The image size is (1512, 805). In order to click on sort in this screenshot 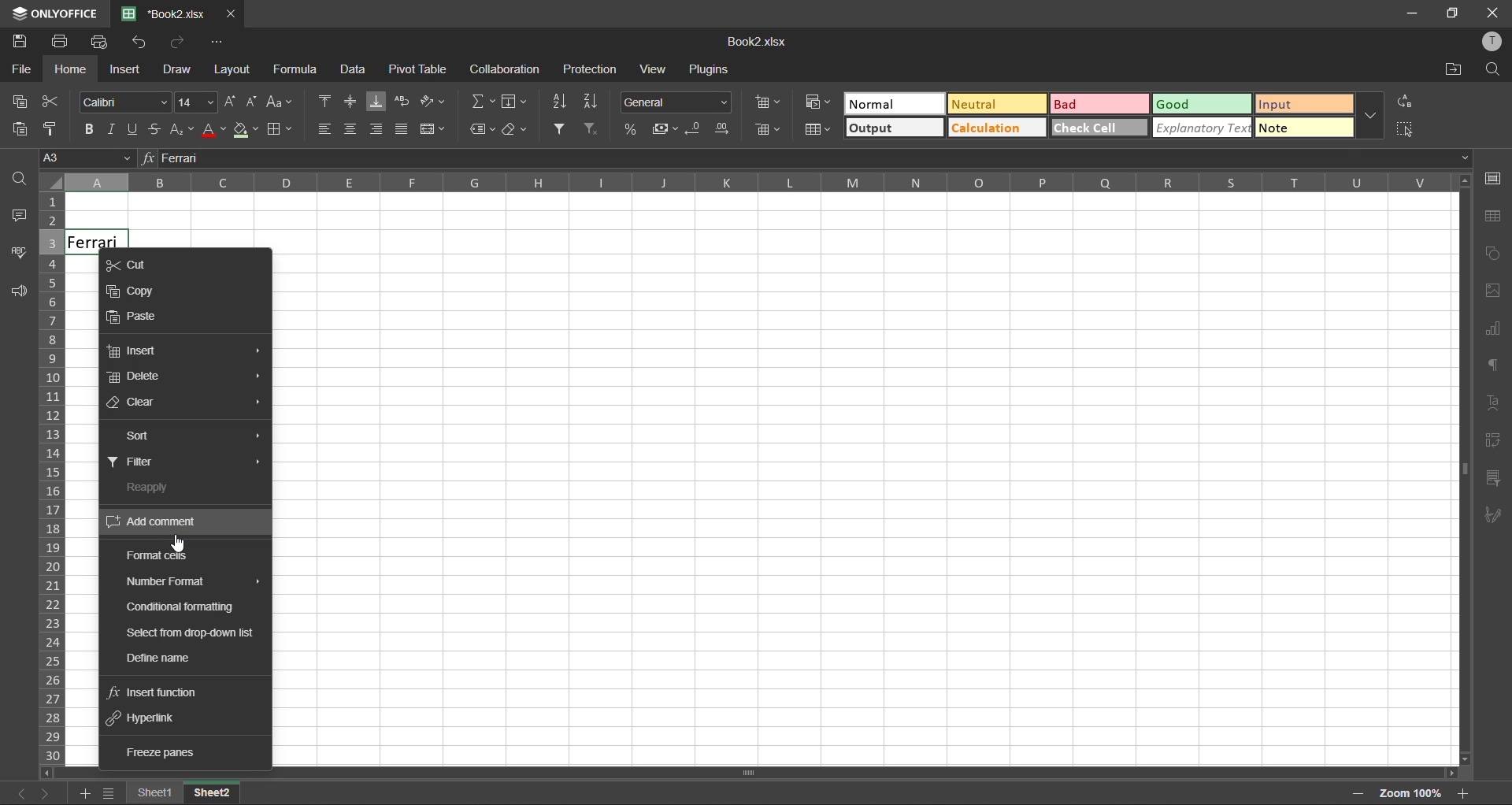, I will do `click(144, 437)`.